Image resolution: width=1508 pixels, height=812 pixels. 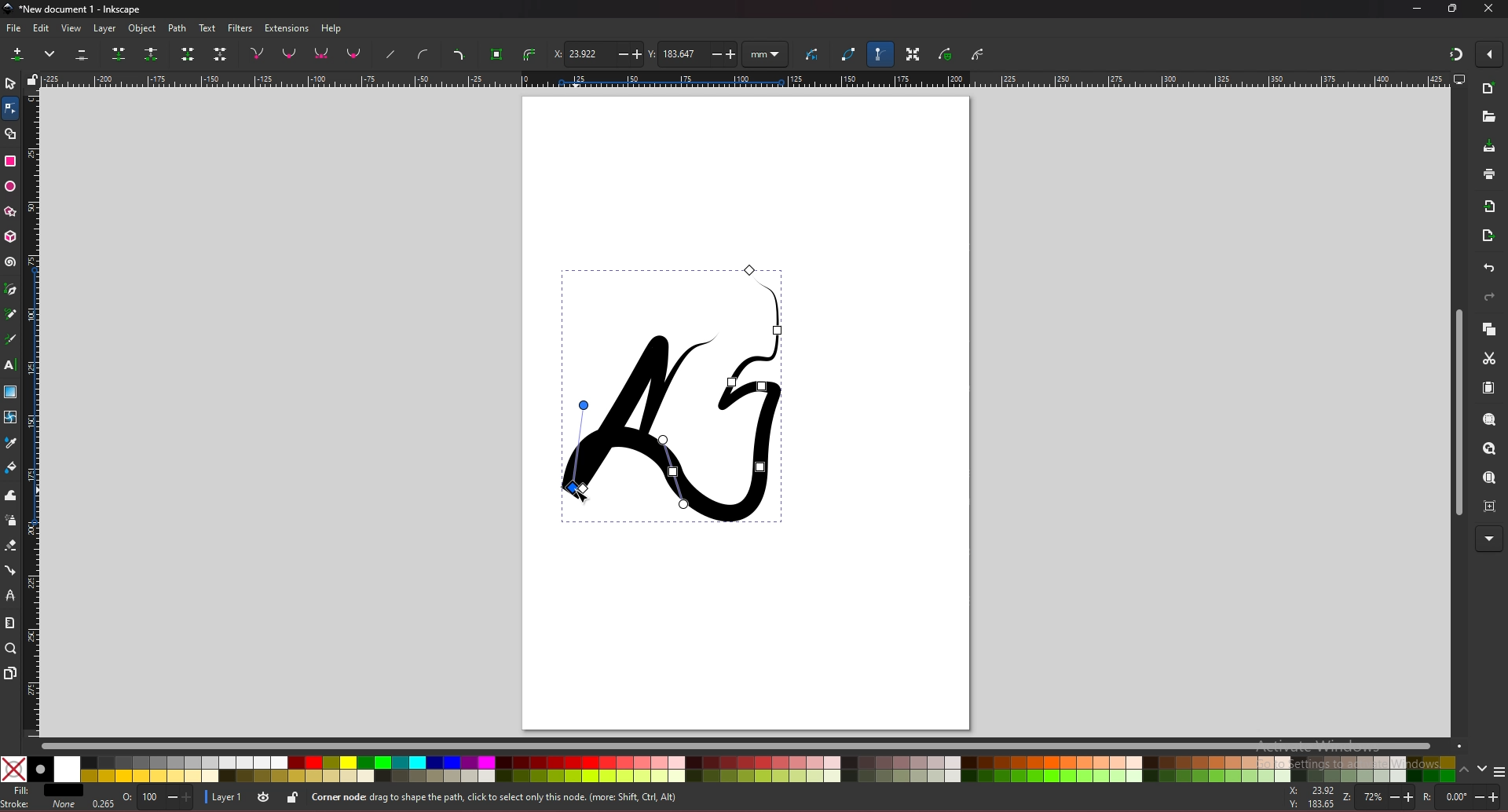 What do you see at coordinates (1315, 798) in the screenshot?
I see `x and y coordinates` at bounding box center [1315, 798].